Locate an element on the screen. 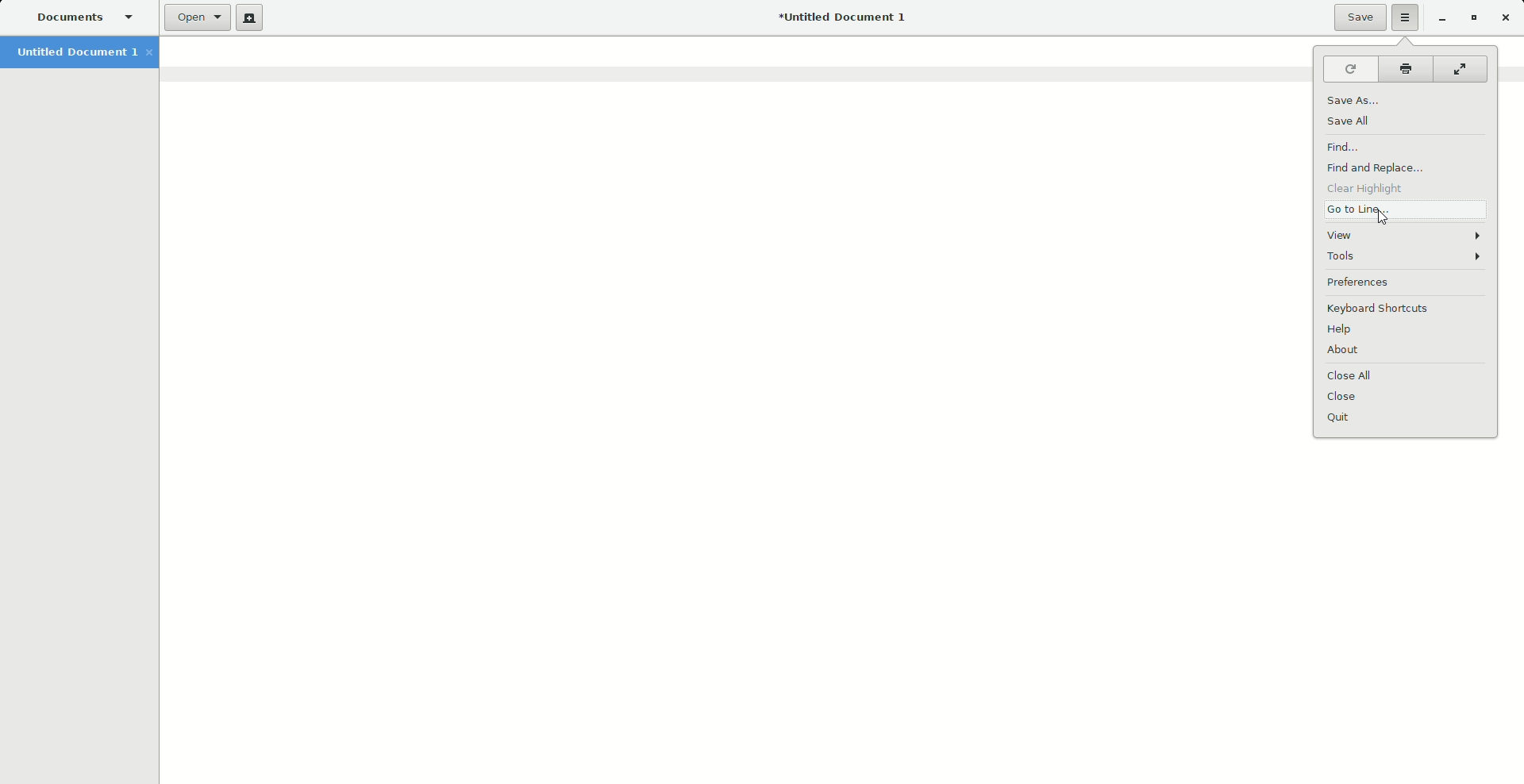 The image size is (1524, 784). View is located at coordinates (1407, 235).